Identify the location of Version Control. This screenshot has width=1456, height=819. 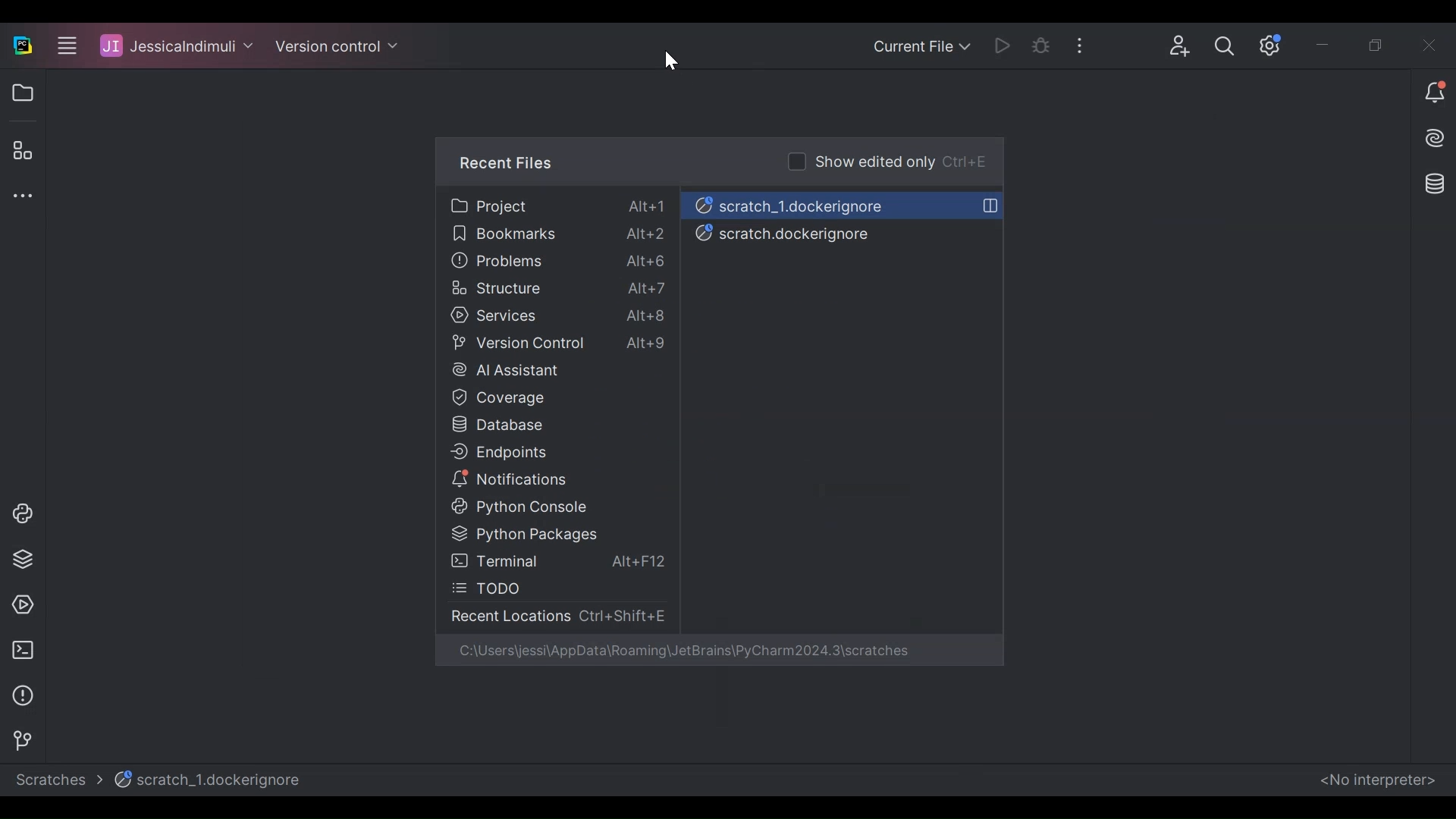
(559, 344).